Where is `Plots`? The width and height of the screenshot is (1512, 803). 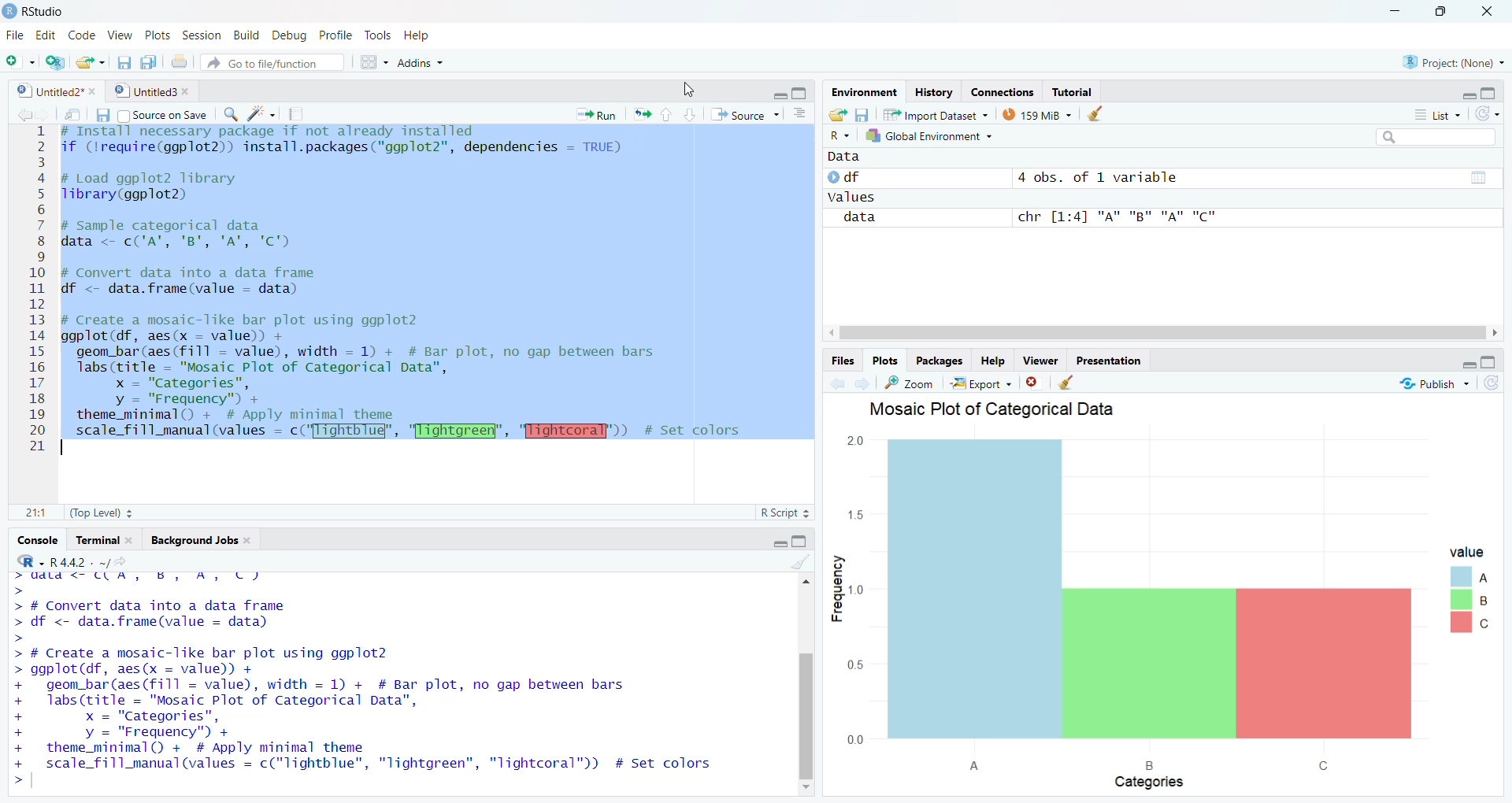
Plots is located at coordinates (155, 35).